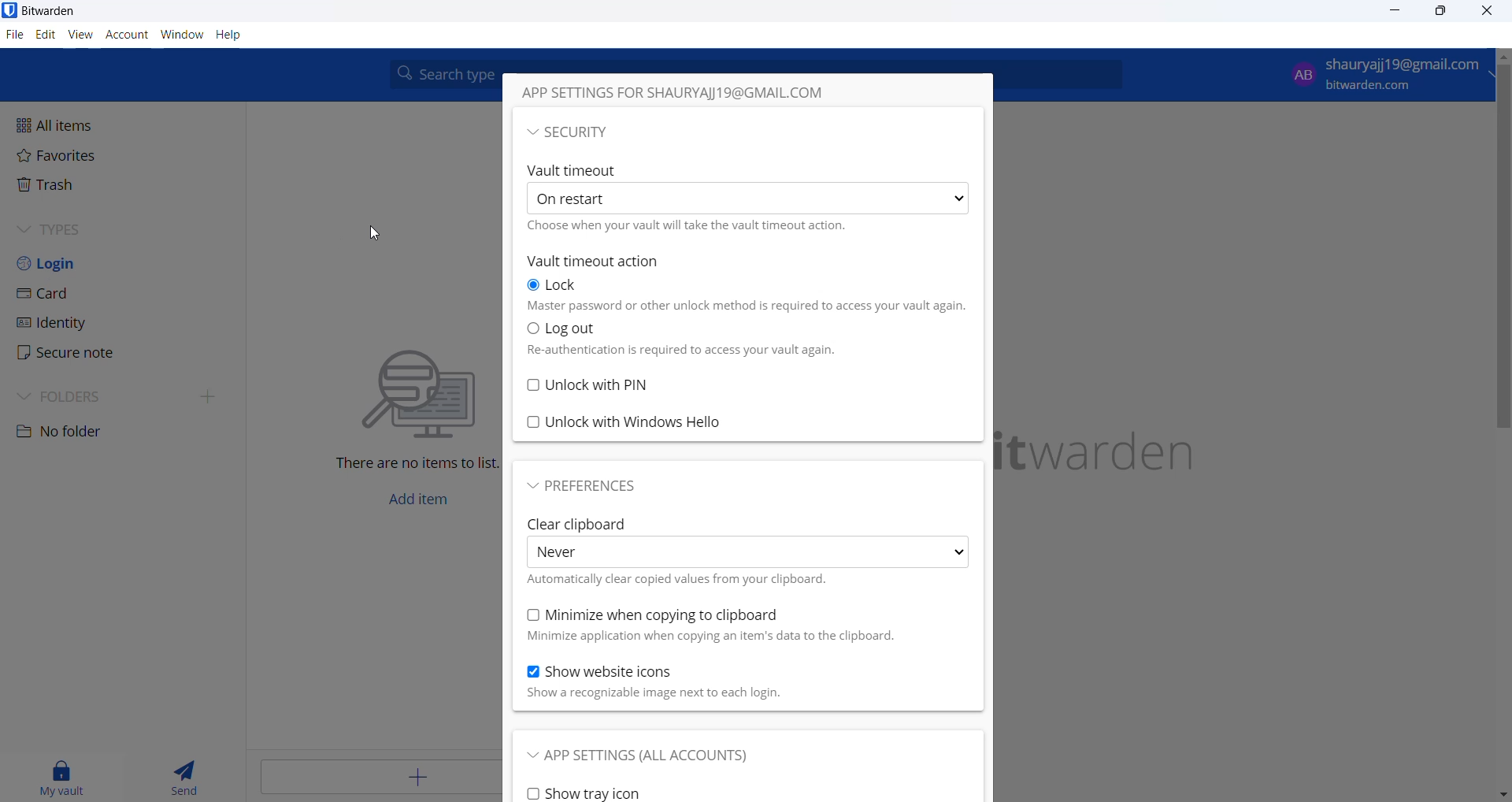  Describe the element at coordinates (1503, 58) in the screenshot. I see `move up` at that location.